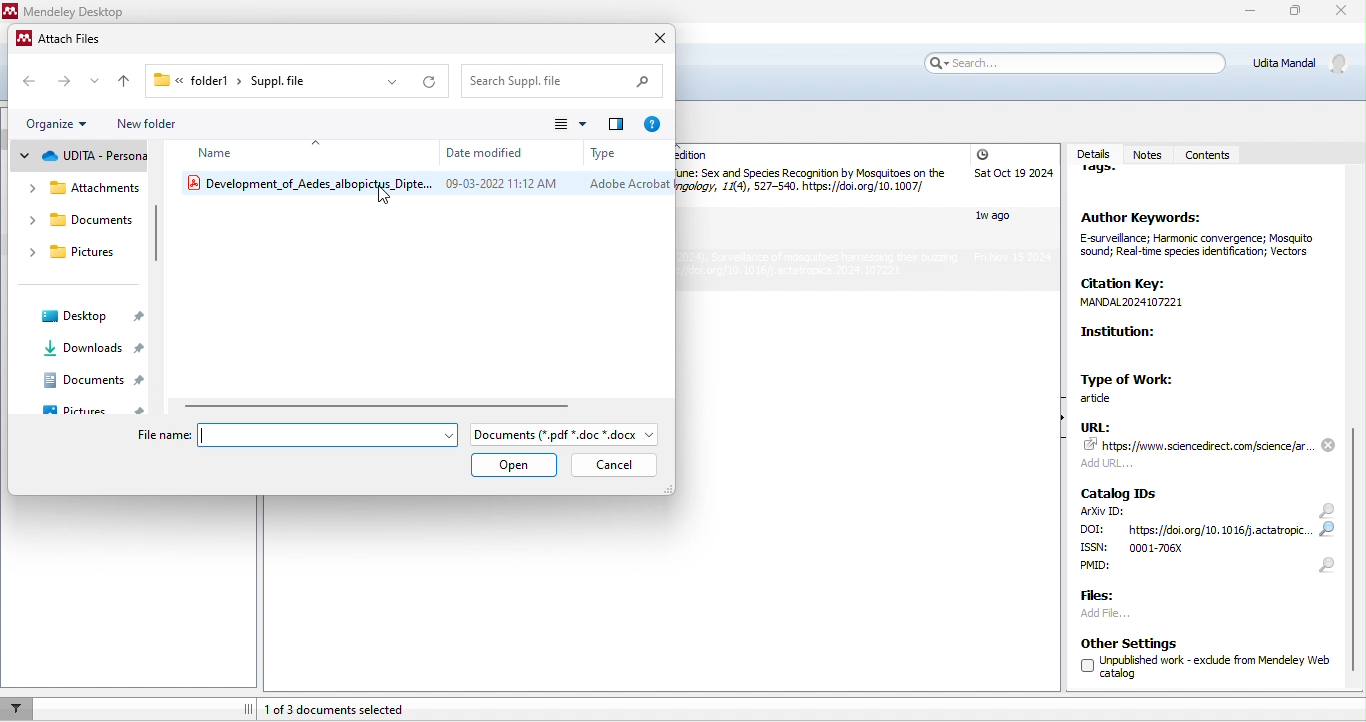 The image size is (1366, 722). Describe the element at coordinates (393, 82) in the screenshot. I see `drop down` at that location.